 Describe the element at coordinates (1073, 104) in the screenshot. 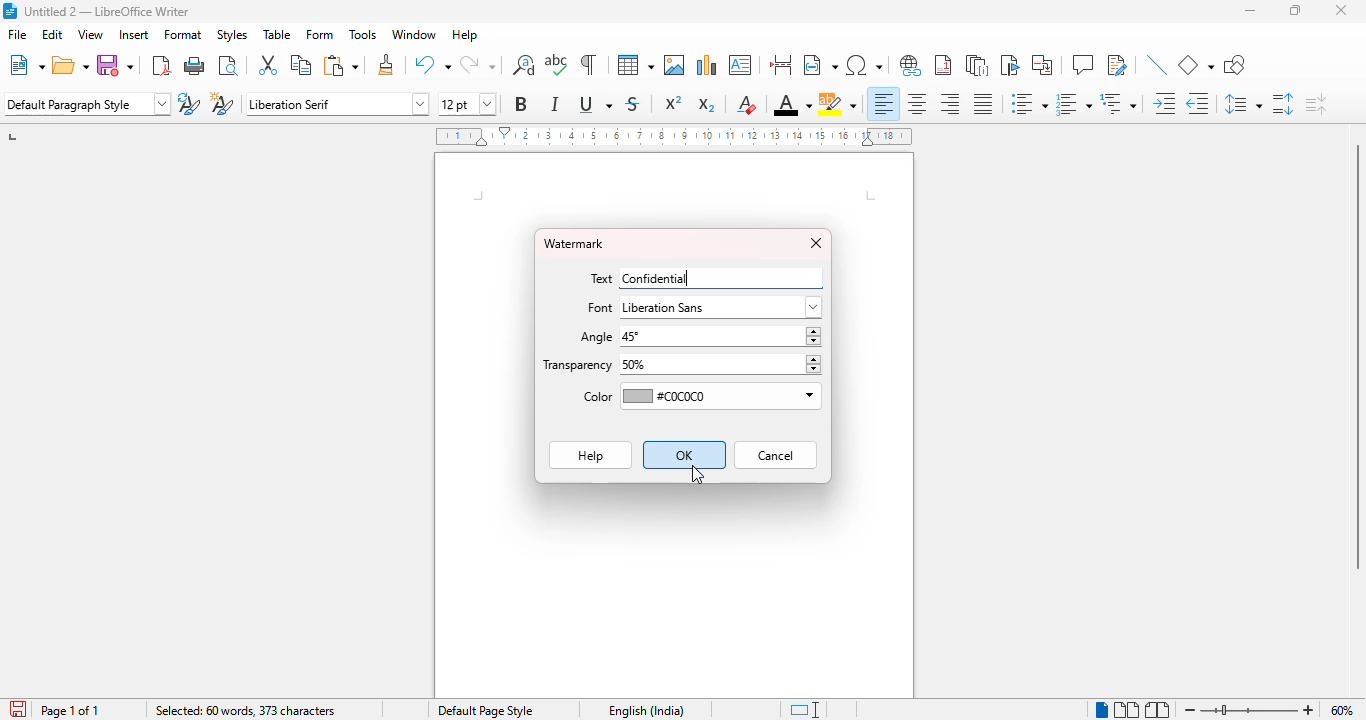

I see `toggle ordered list` at that location.